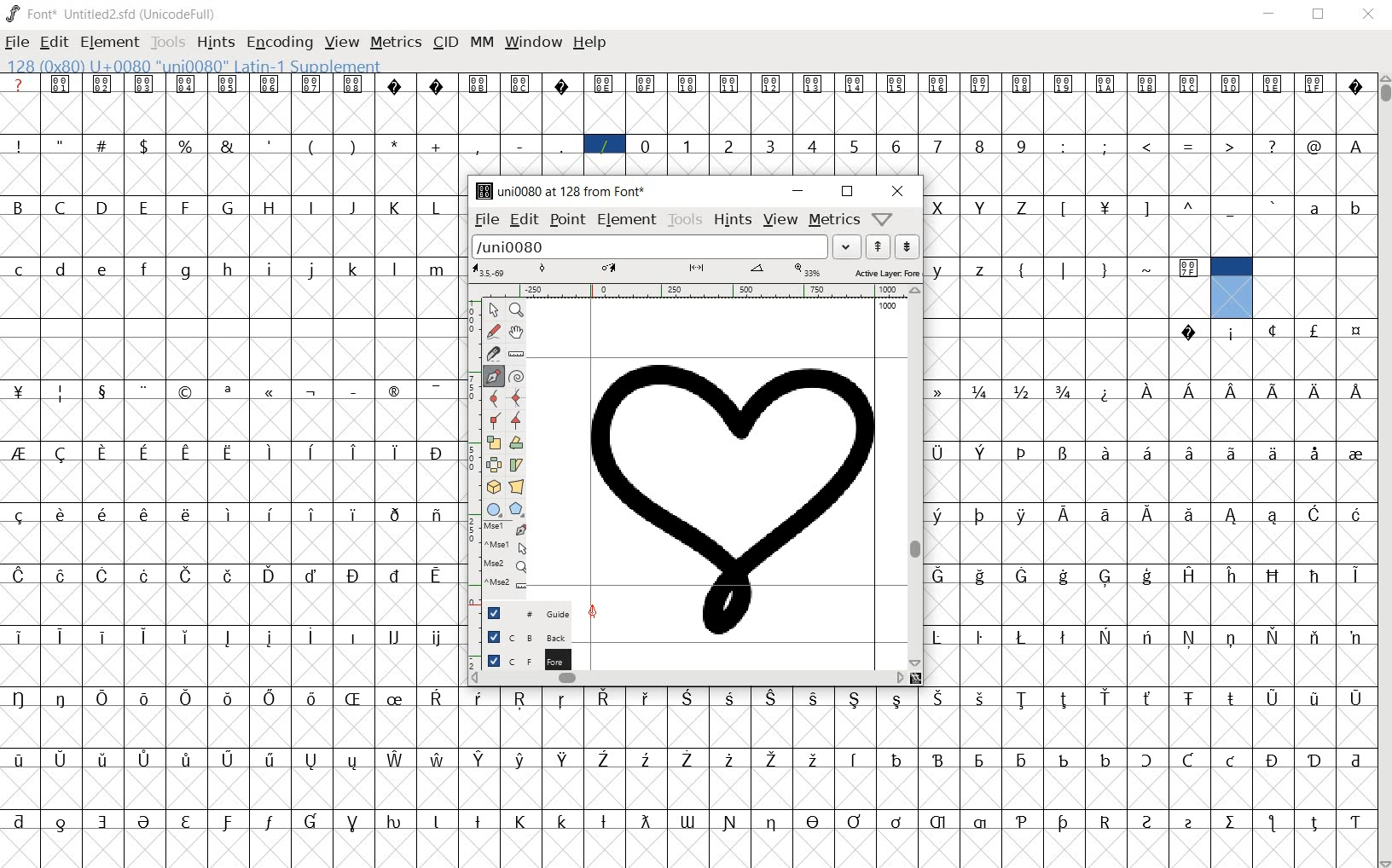  What do you see at coordinates (102, 206) in the screenshot?
I see `glyph` at bounding box center [102, 206].